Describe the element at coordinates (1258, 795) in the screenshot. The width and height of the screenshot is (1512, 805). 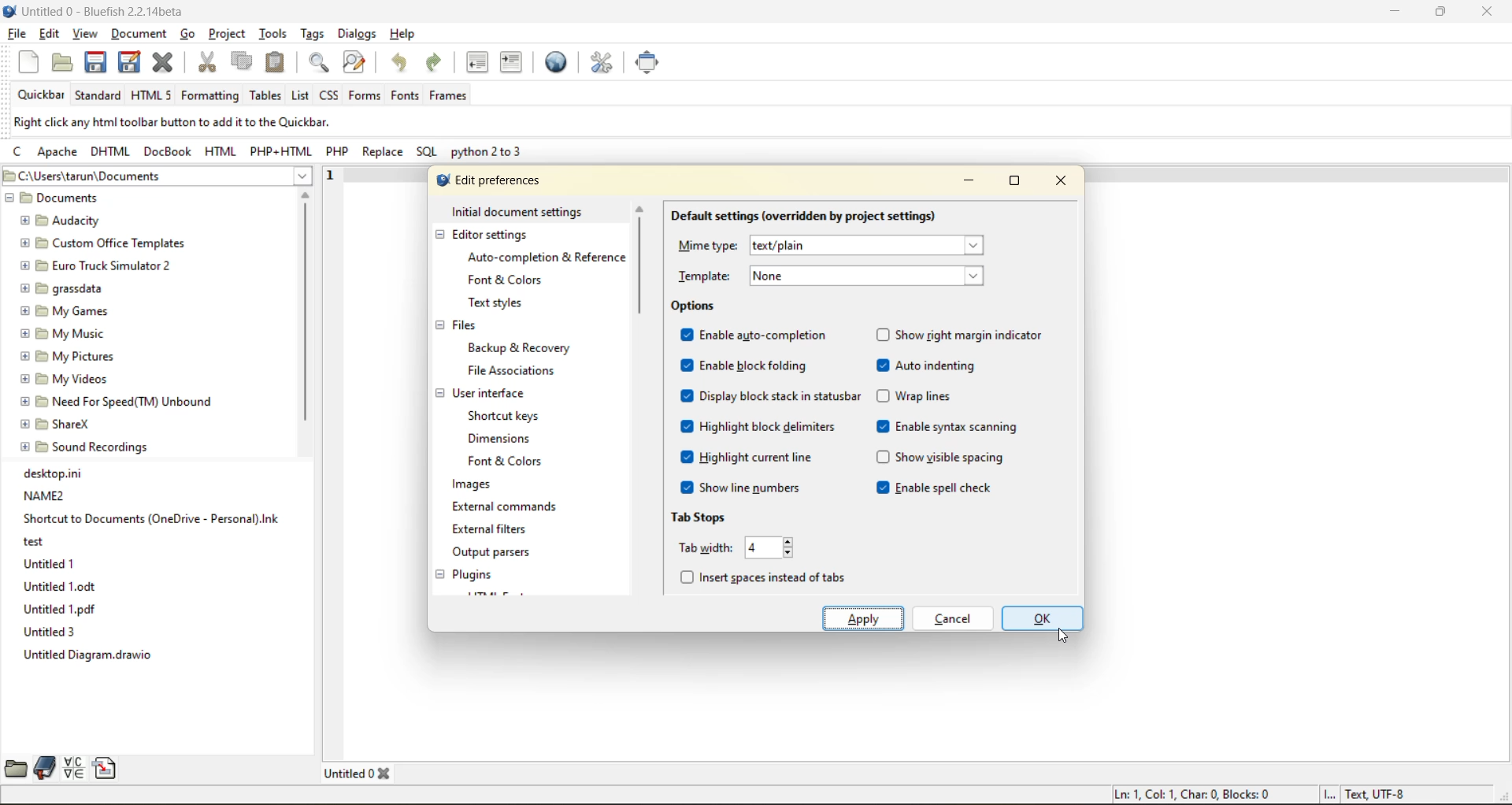
I see `metadata` at that location.